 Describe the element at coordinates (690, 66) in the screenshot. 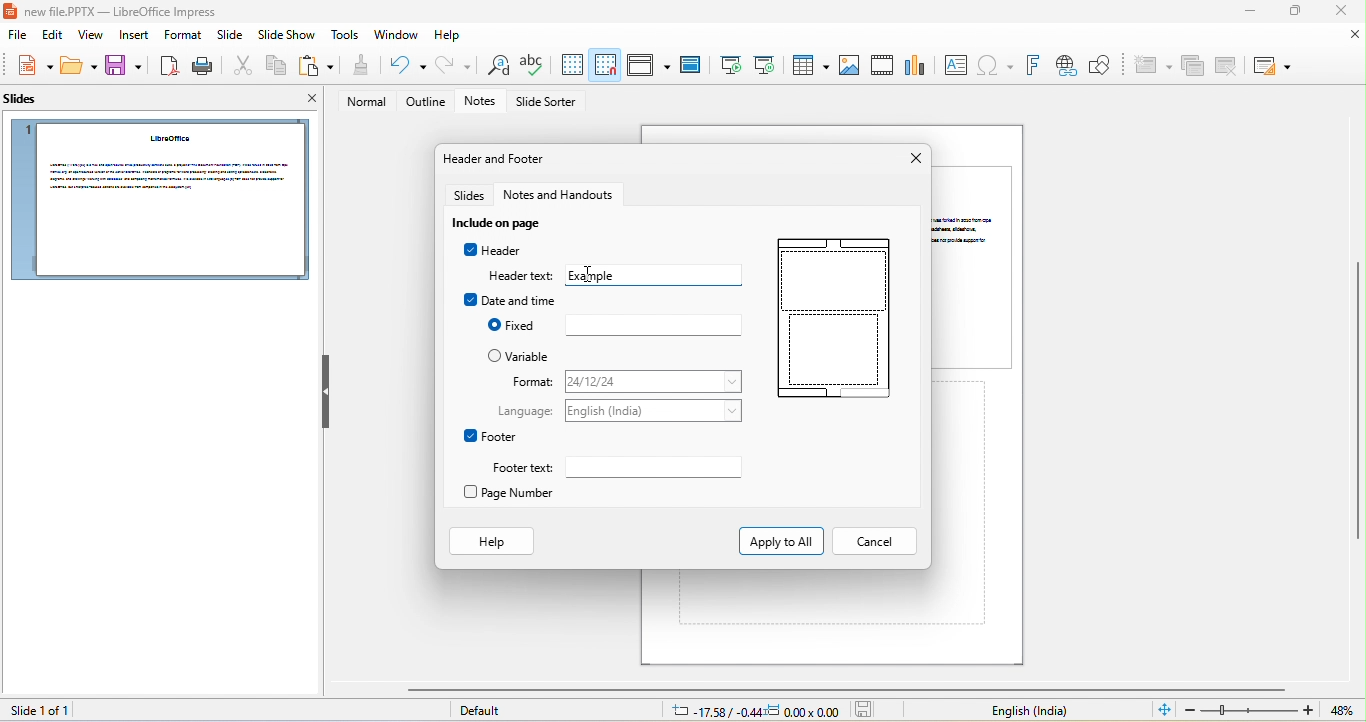

I see `master slide` at that location.